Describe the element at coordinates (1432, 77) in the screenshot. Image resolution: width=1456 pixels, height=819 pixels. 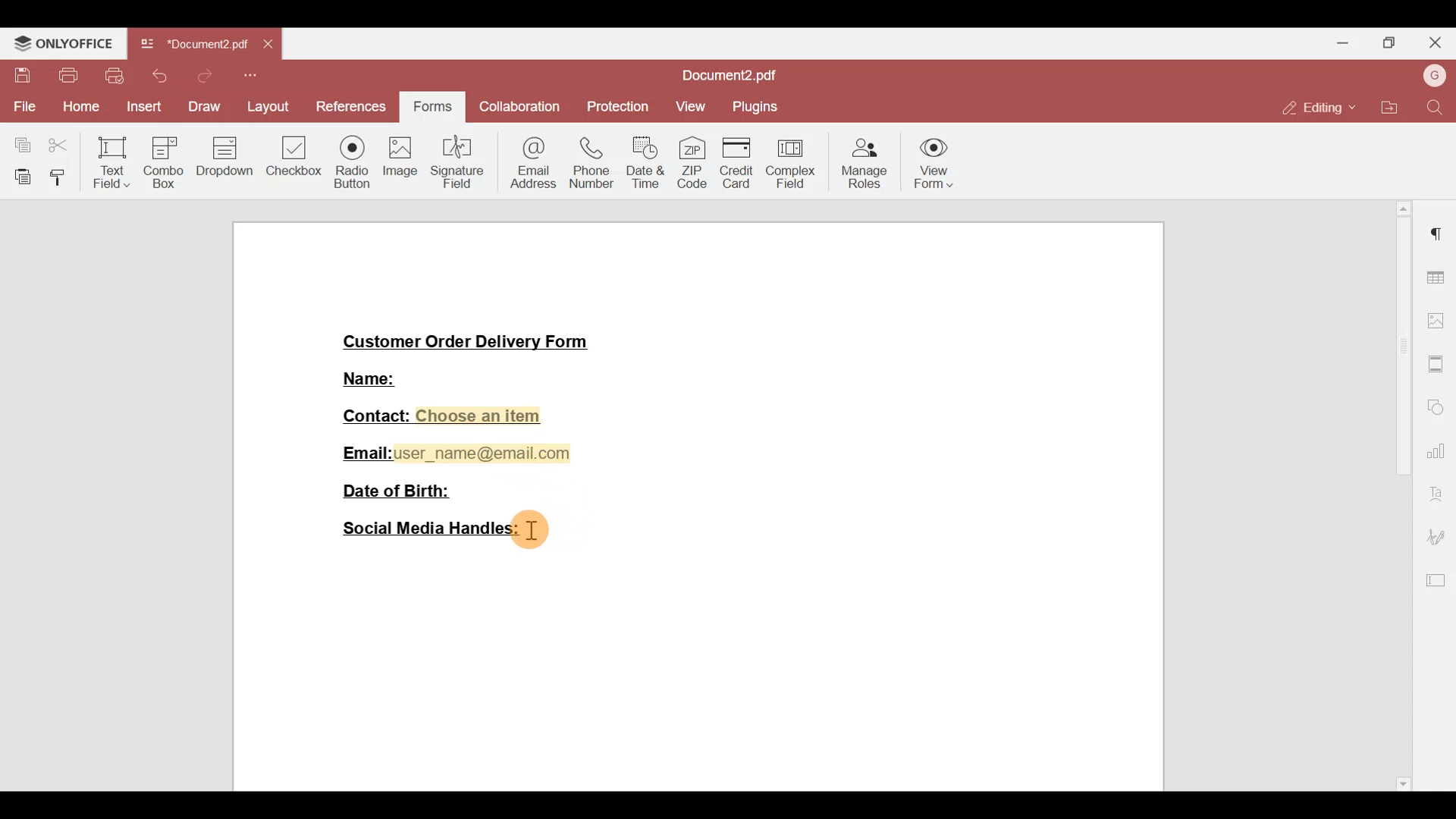
I see `Username` at that location.